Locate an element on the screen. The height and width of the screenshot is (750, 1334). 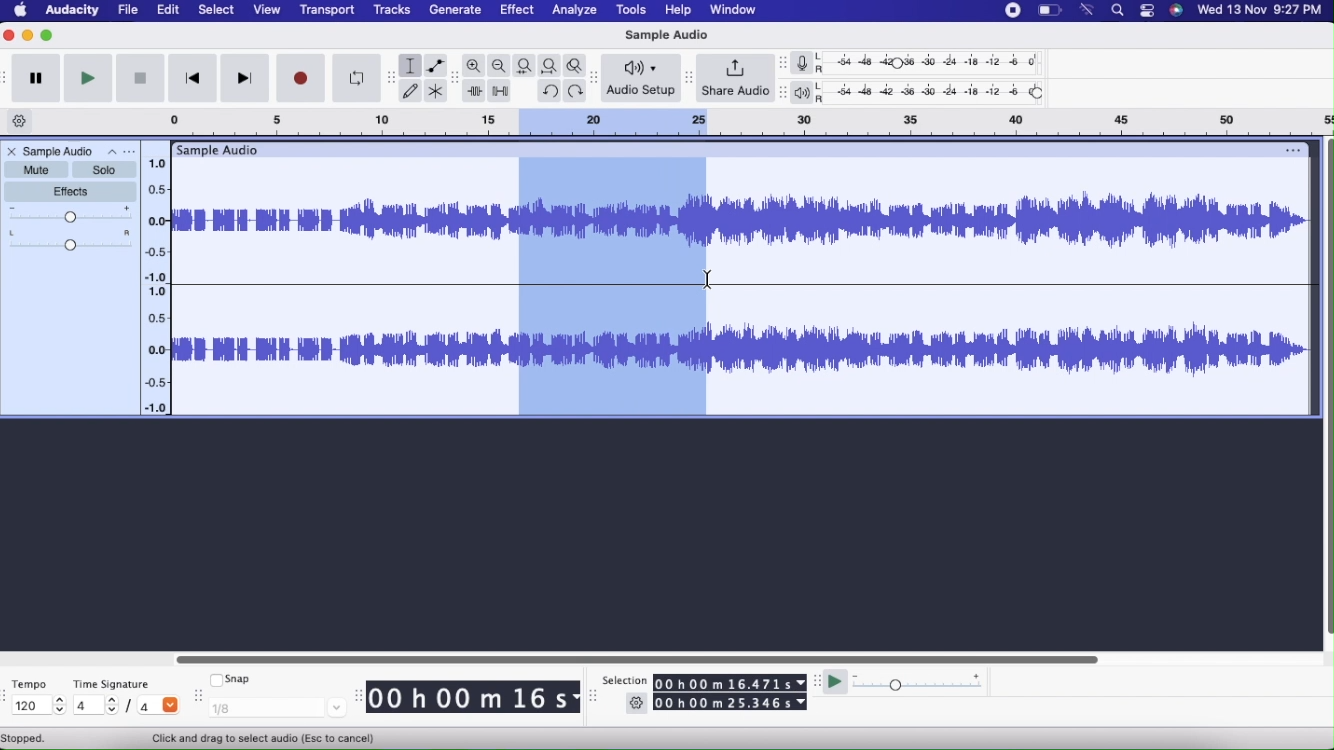
120 is located at coordinates (36, 706).